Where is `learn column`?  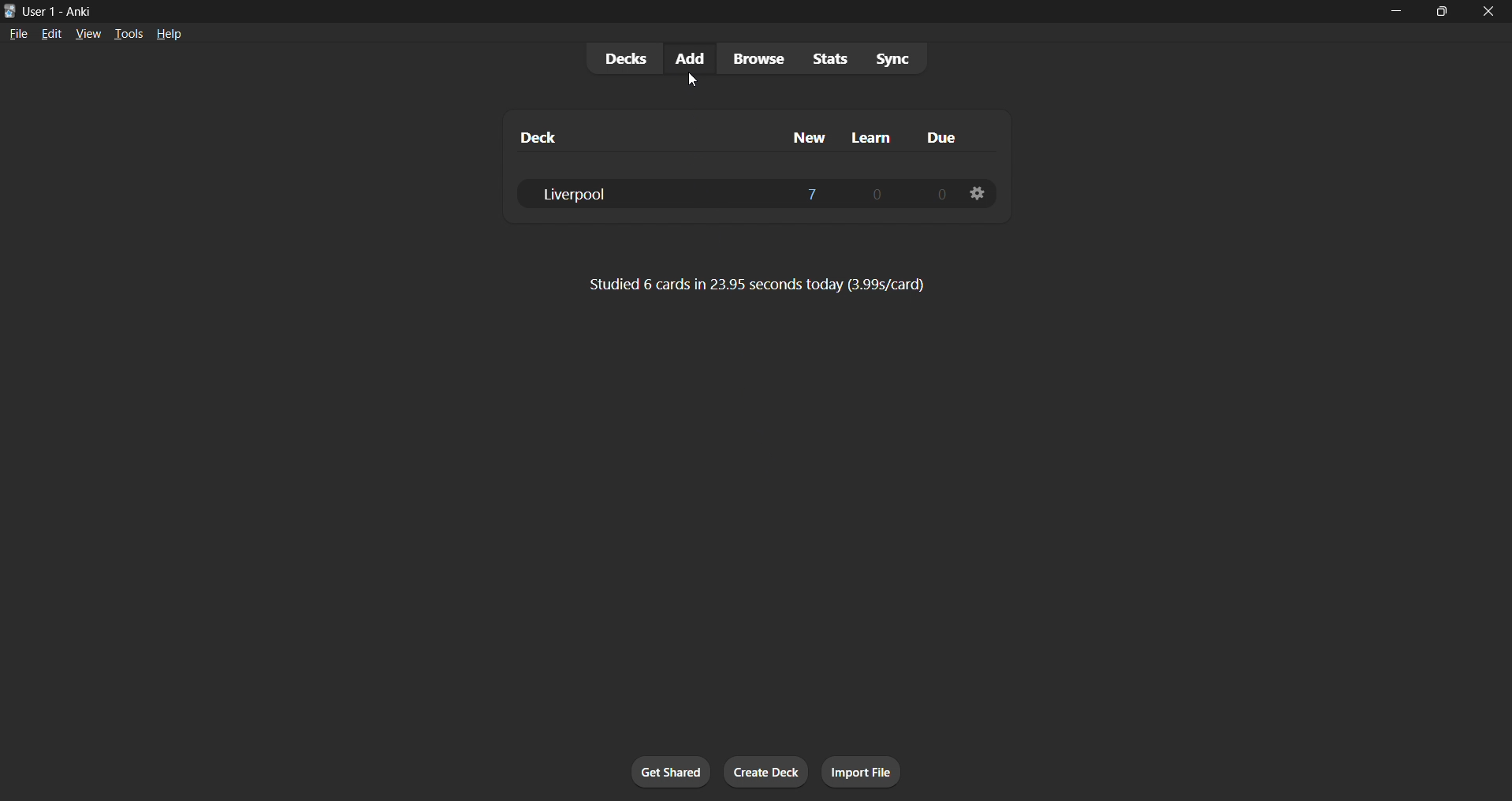 learn column is located at coordinates (874, 136).